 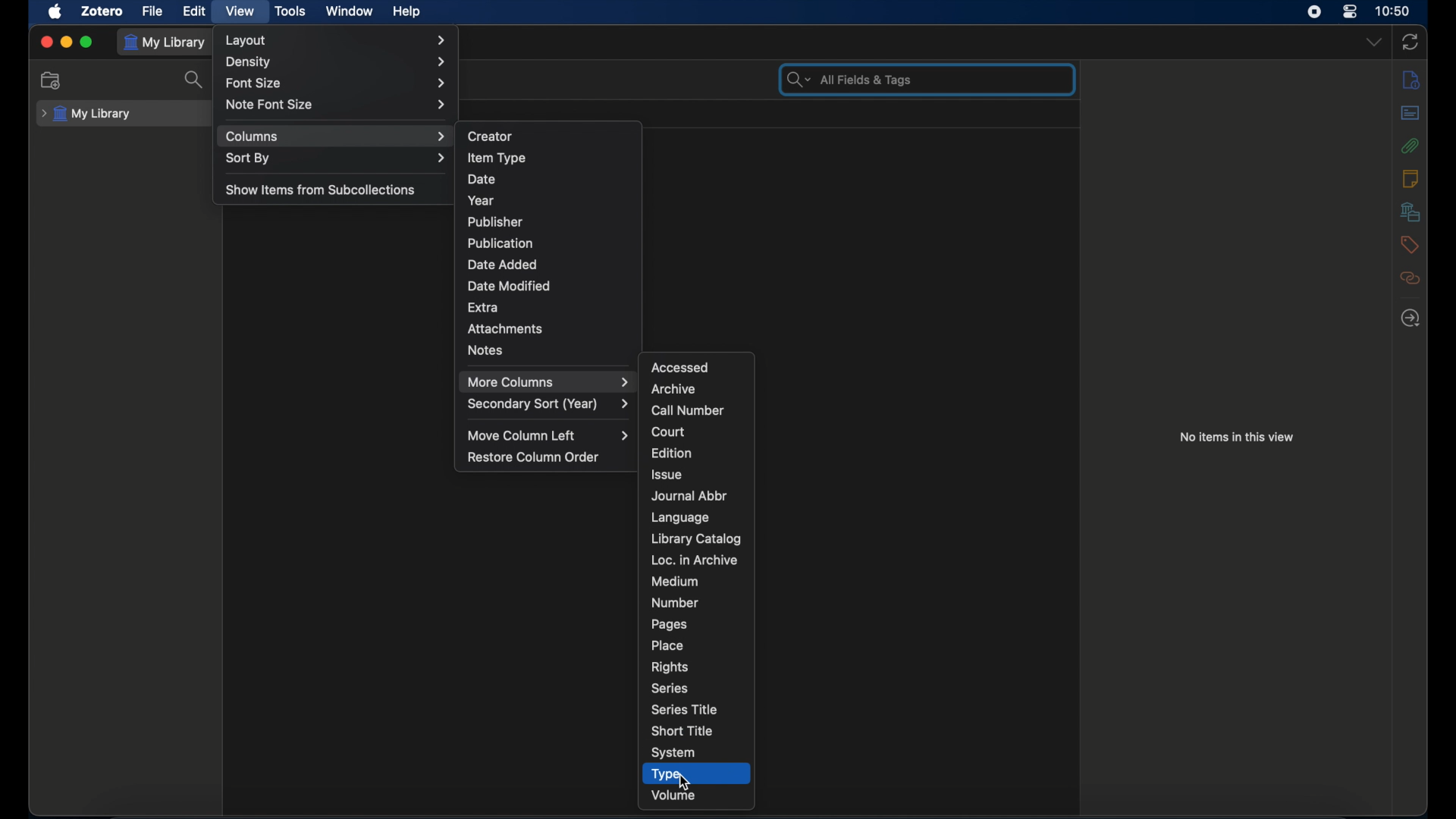 What do you see at coordinates (500, 243) in the screenshot?
I see `publication` at bounding box center [500, 243].